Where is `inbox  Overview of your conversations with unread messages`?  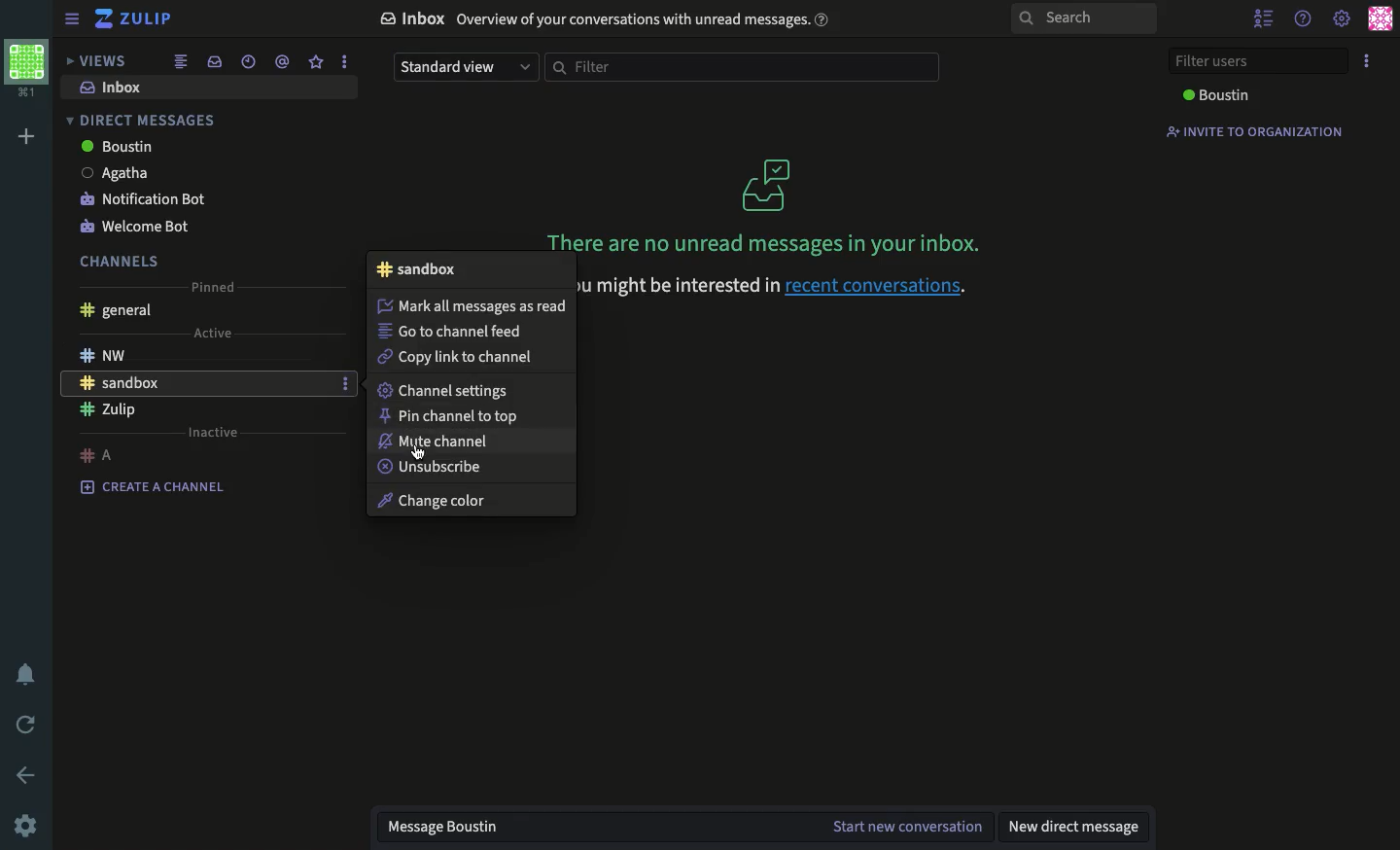
inbox  Overview of your conversations with unread messages is located at coordinates (607, 20).